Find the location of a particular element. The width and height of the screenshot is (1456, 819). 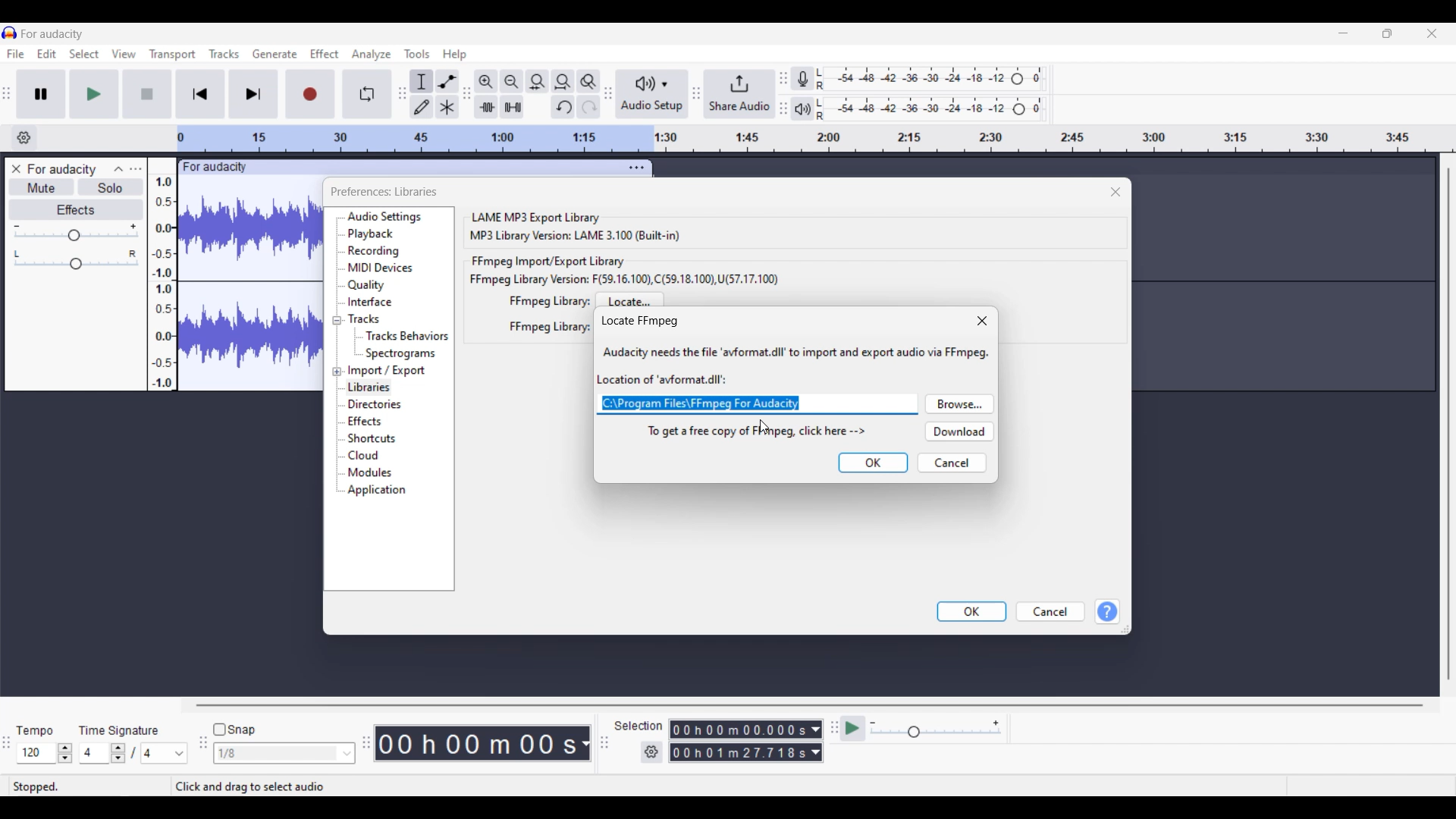

Playback meter is located at coordinates (803, 108).